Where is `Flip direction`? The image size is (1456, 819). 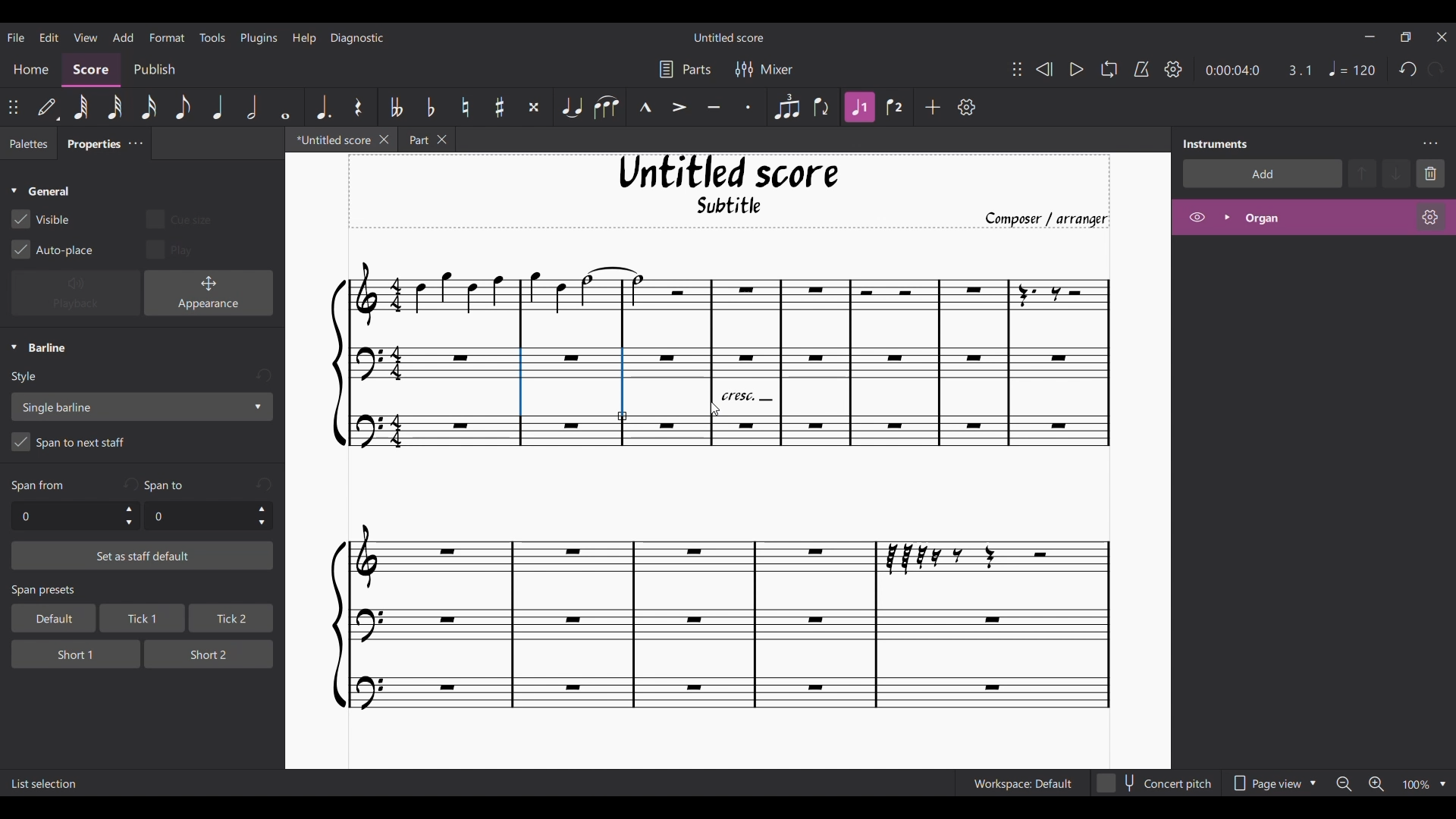
Flip direction is located at coordinates (823, 107).